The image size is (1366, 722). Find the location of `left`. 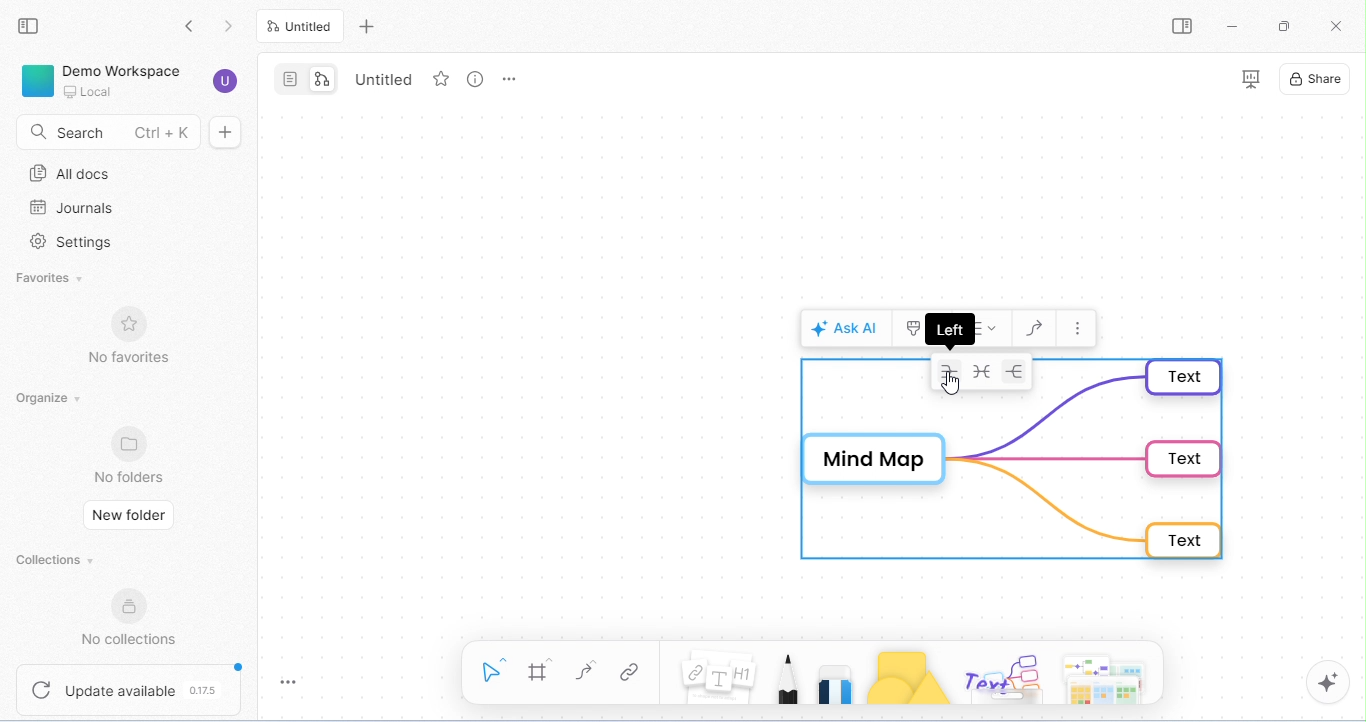

left is located at coordinates (951, 372).